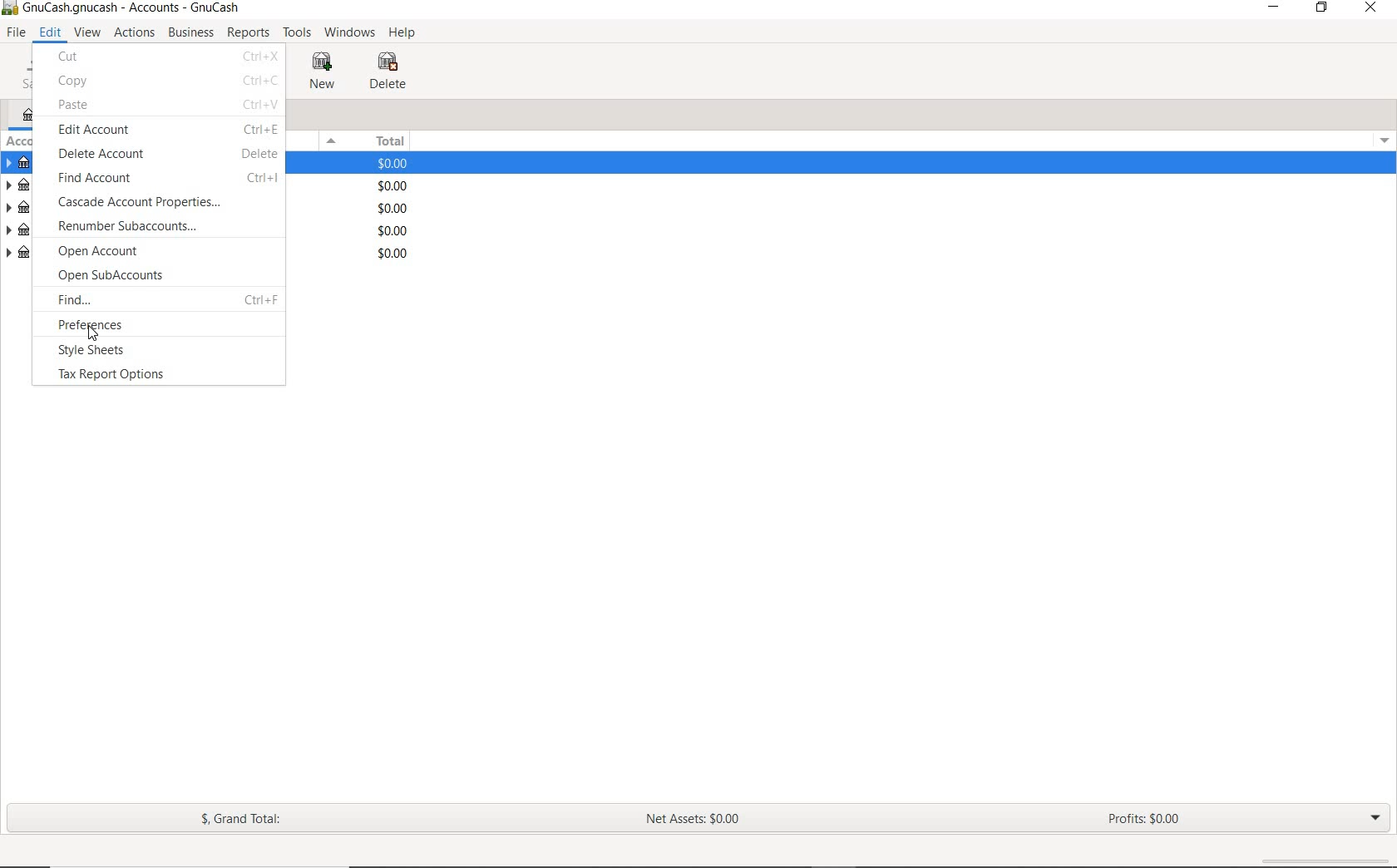 The height and width of the screenshot is (868, 1397). I want to click on RESTORE DOWN, so click(1321, 11).